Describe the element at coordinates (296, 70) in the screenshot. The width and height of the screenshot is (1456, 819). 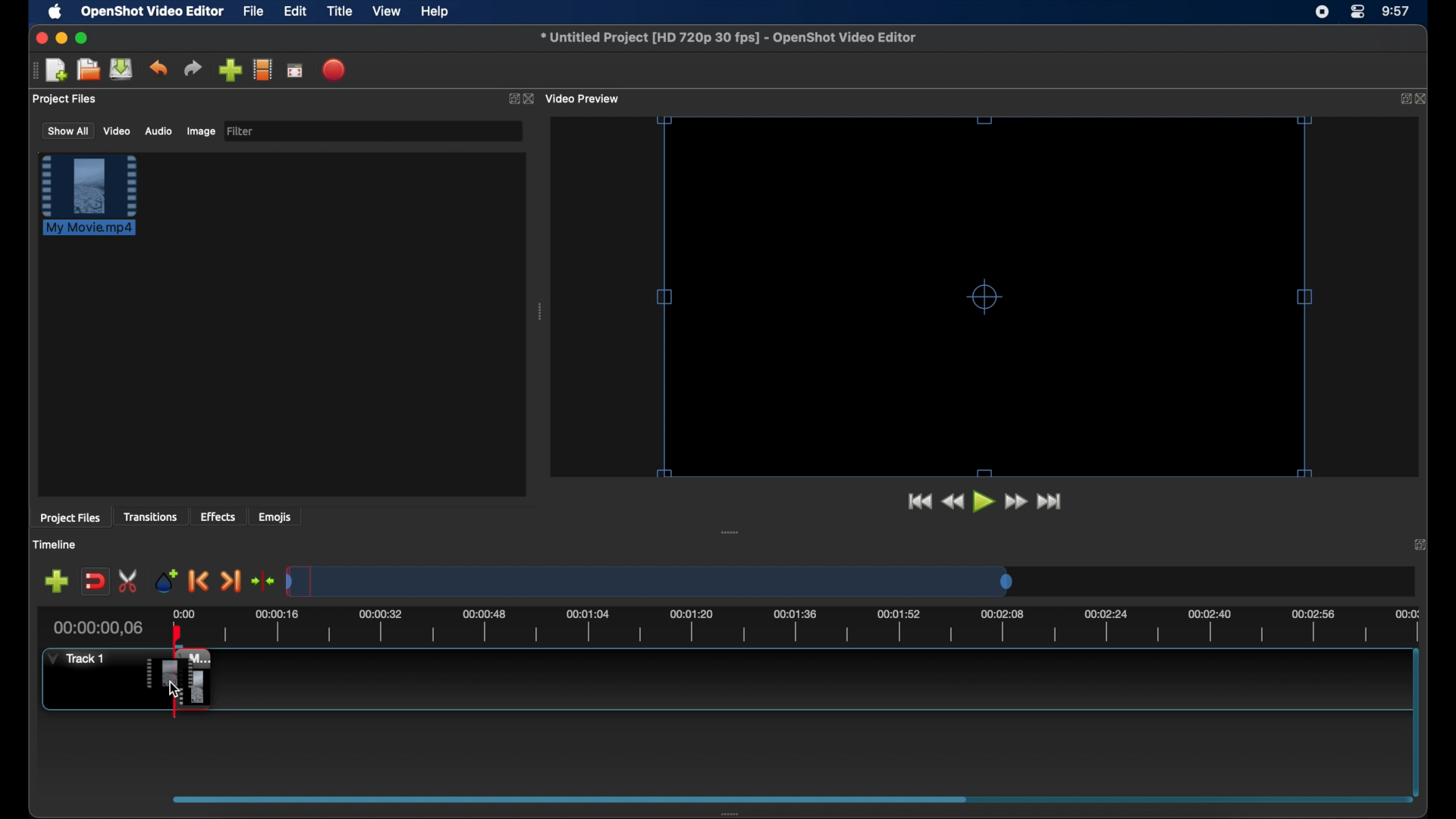
I see `full screen` at that location.